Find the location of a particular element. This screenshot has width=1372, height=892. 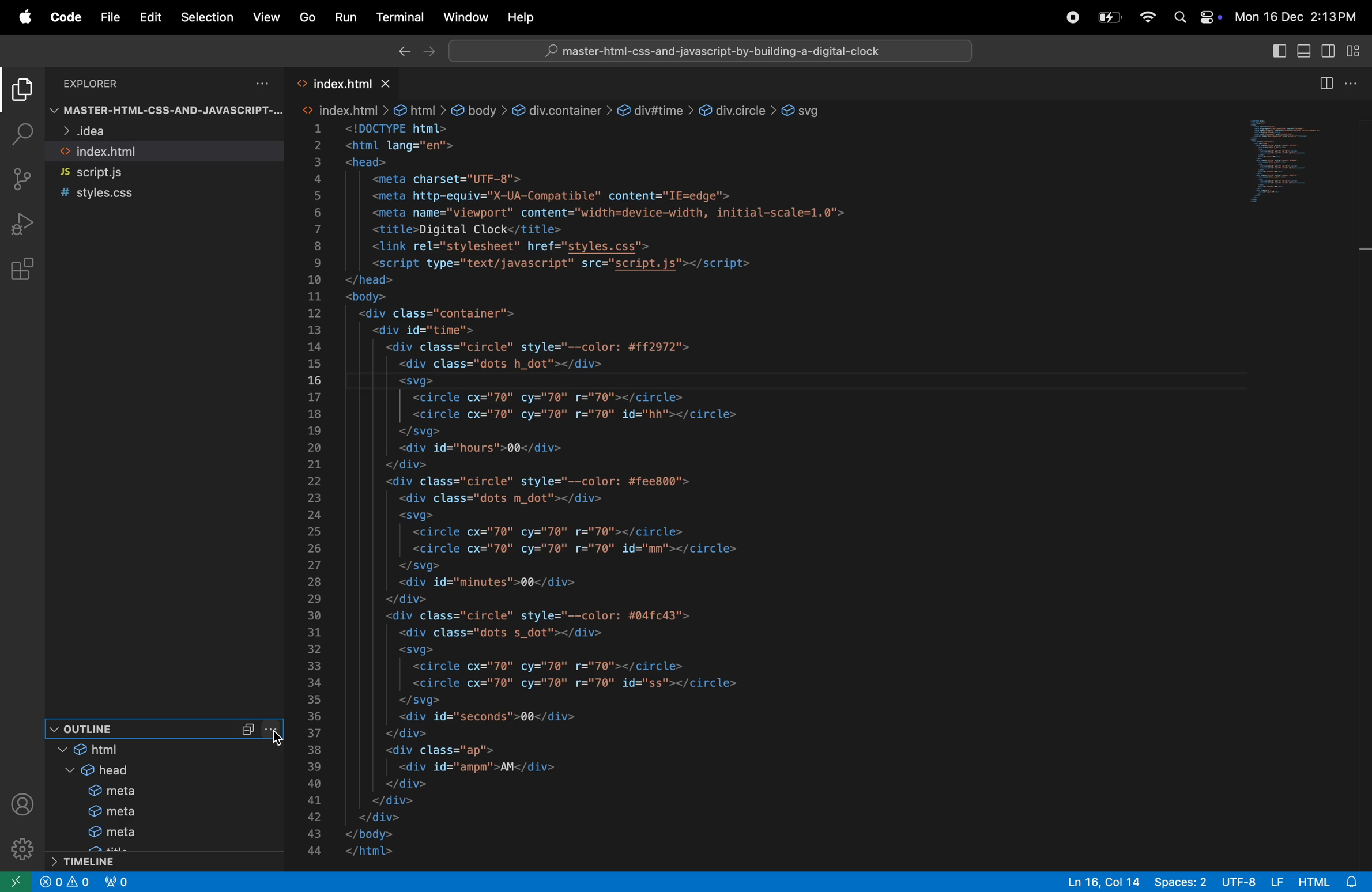

Edit is located at coordinates (151, 17).